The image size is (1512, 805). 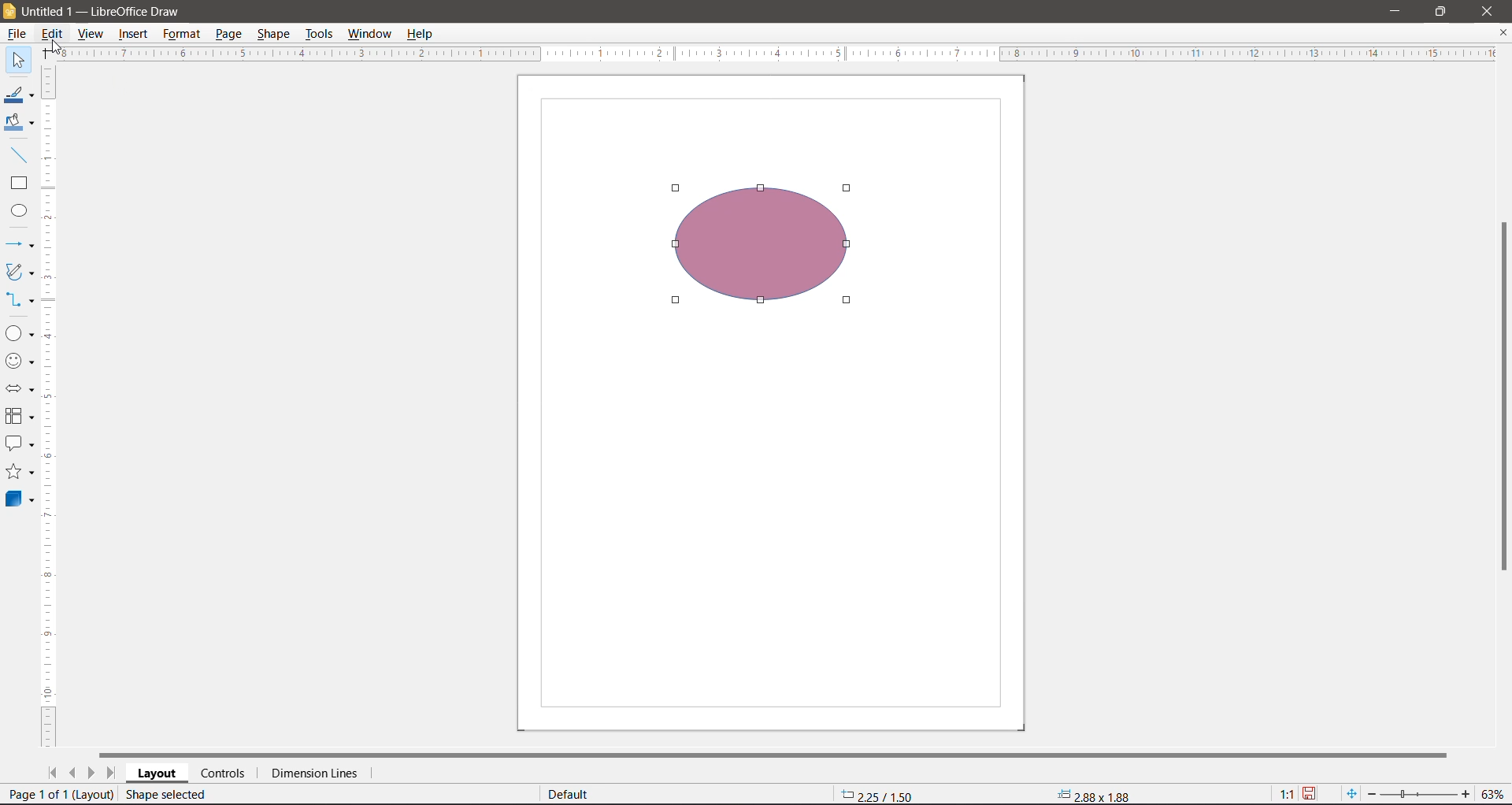 I want to click on View, so click(x=92, y=33).